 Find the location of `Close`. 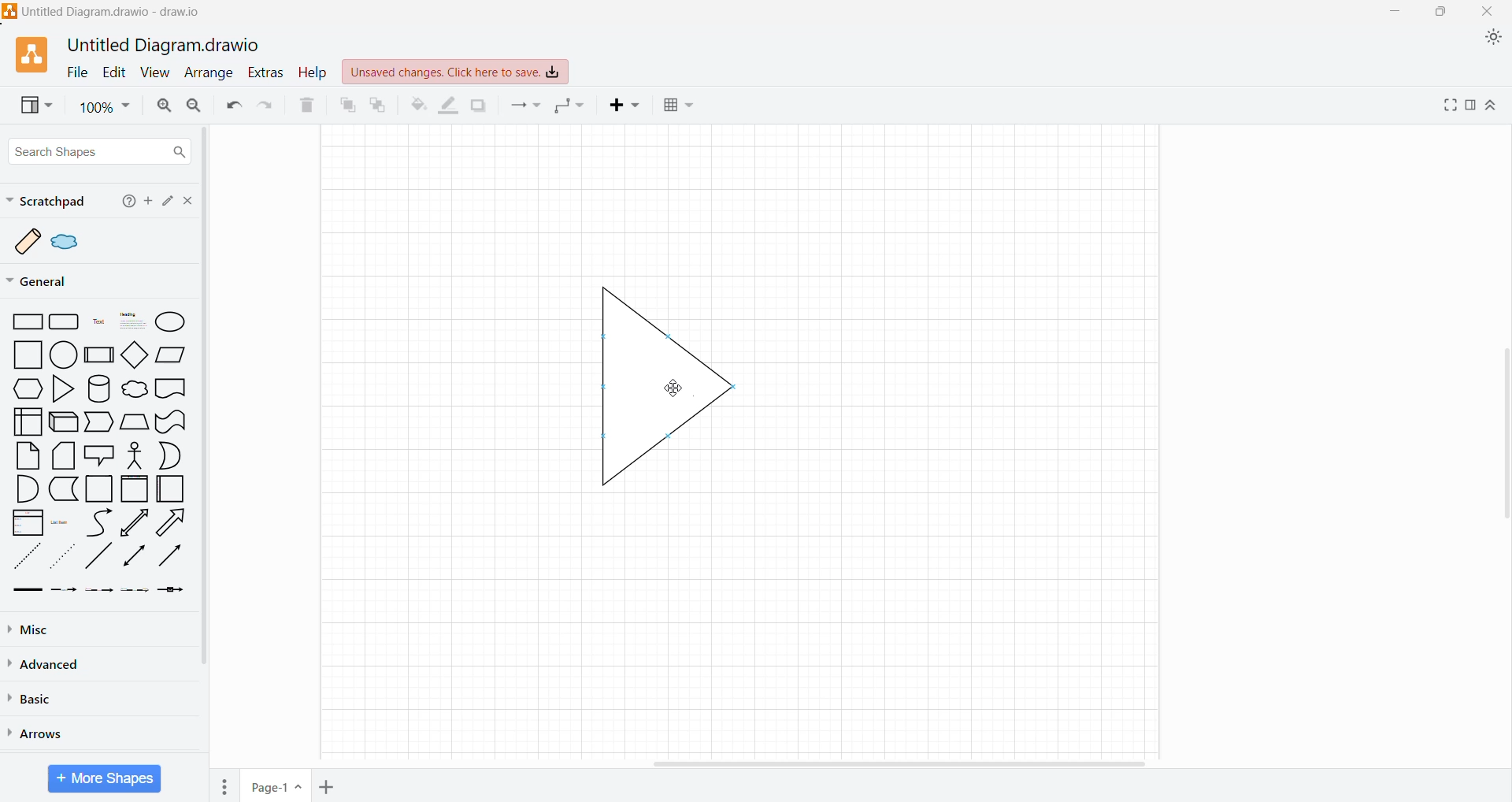

Close is located at coordinates (187, 200).